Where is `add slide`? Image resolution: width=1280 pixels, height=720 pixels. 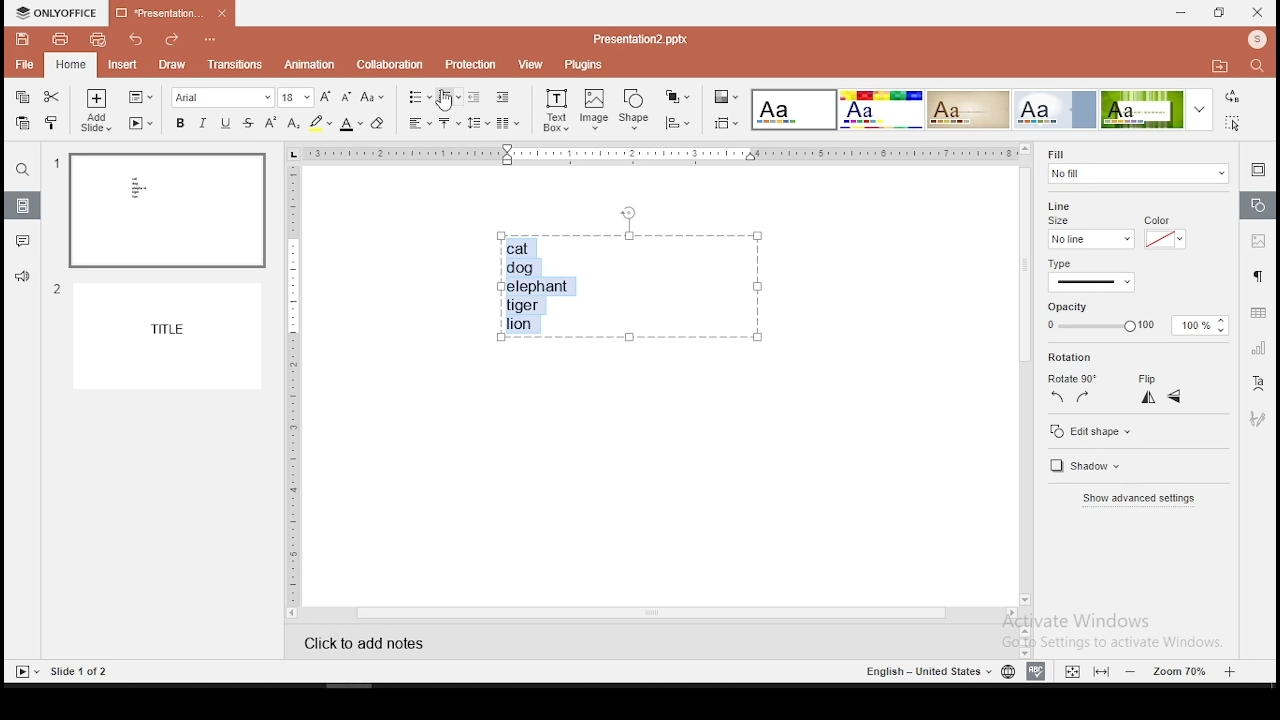
add slide is located at coordinates (94, 110).